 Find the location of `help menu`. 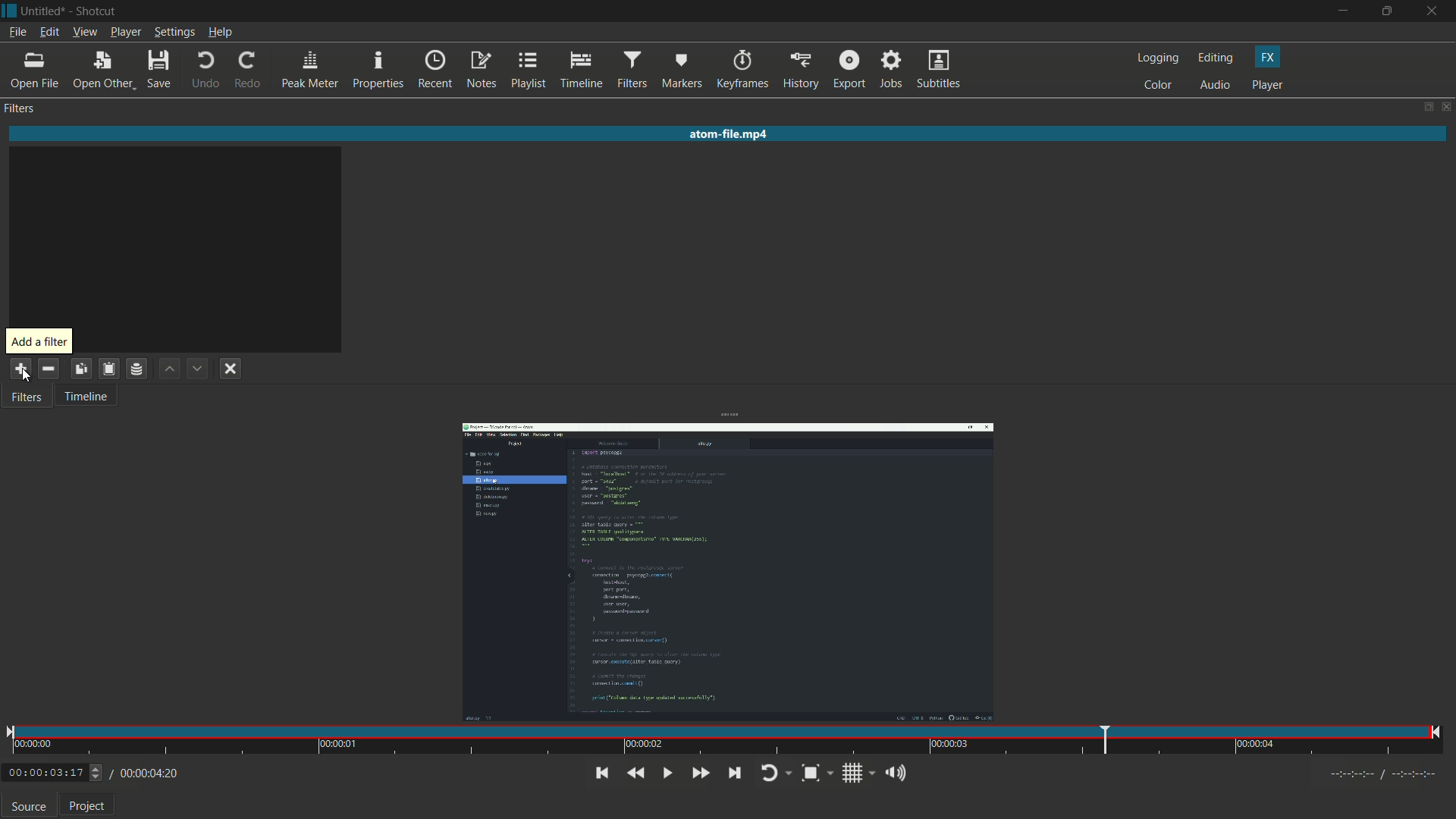

help menu is located at coordinates (220, 32).